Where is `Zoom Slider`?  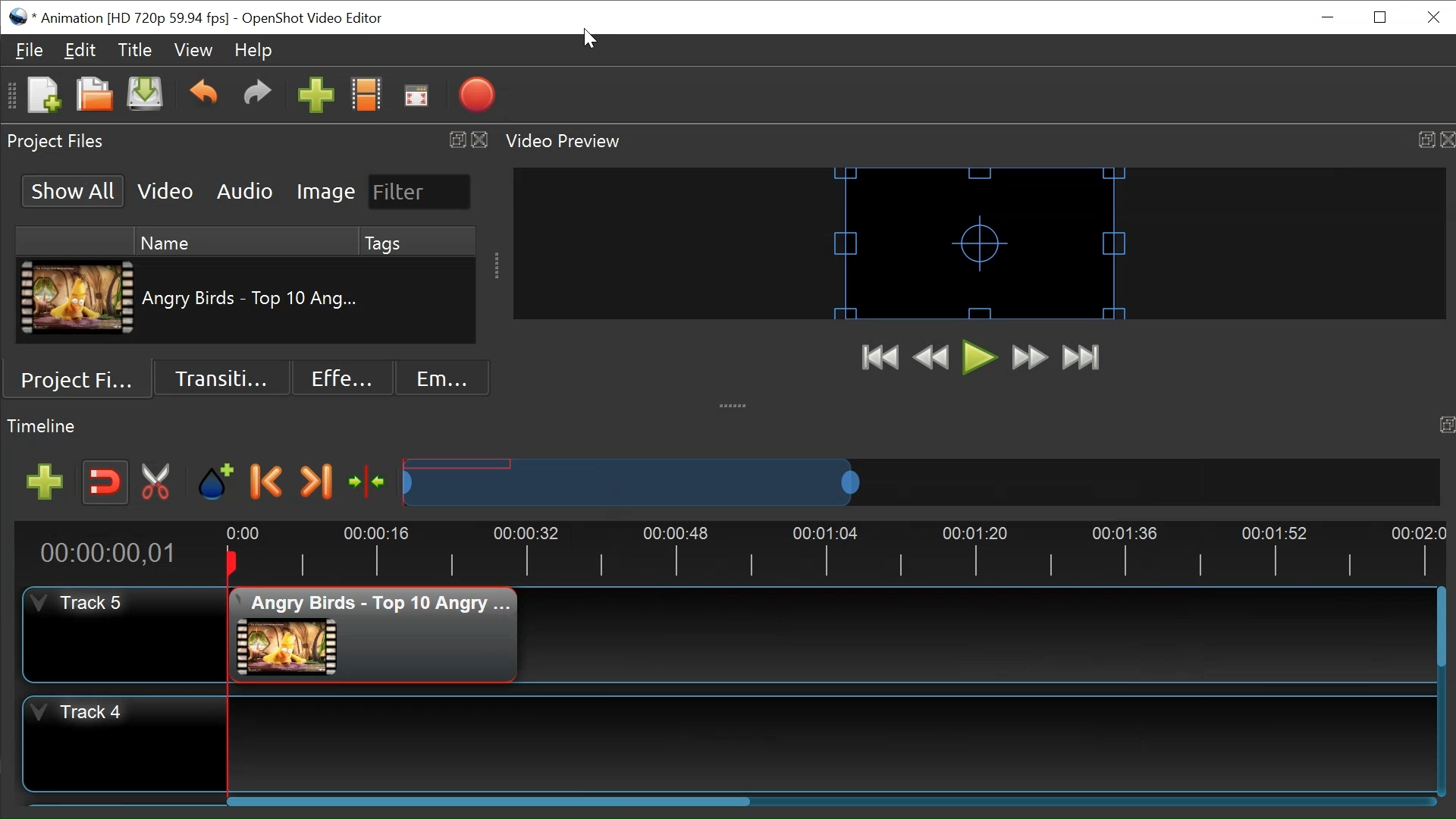 Zoom Slider is located at coordinates (918, 482).